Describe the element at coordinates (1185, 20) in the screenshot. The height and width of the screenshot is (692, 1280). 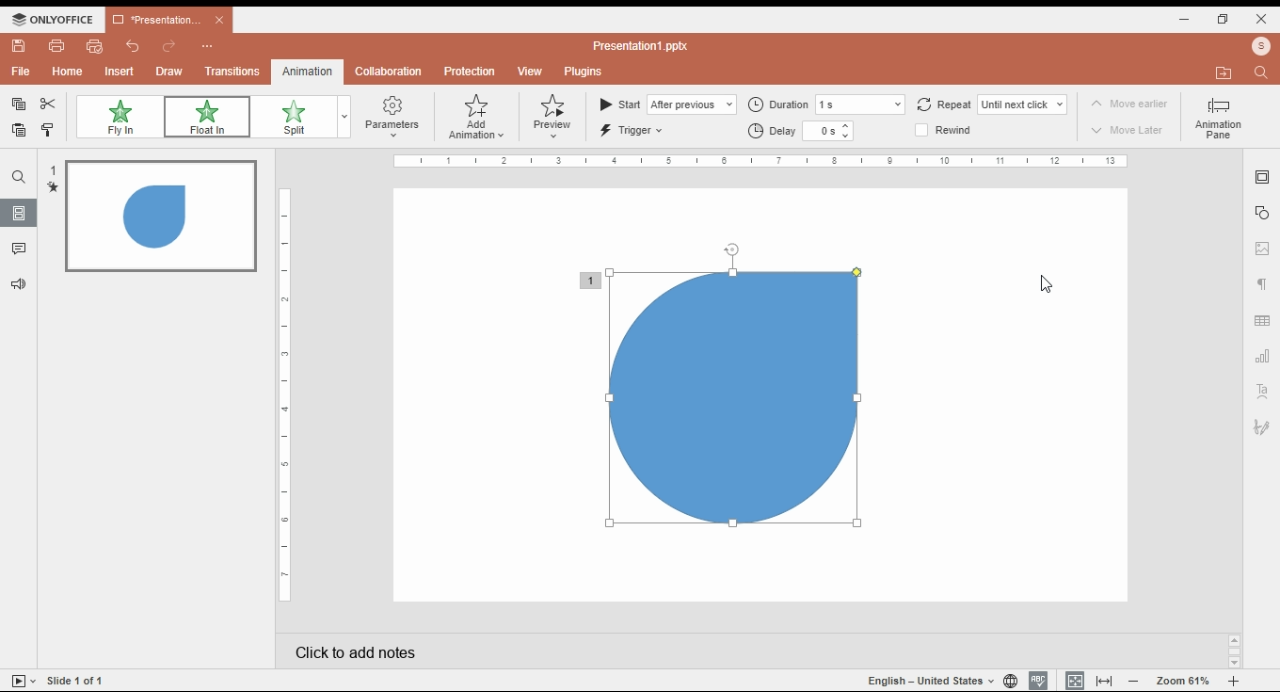
I see `minimize` at that location.